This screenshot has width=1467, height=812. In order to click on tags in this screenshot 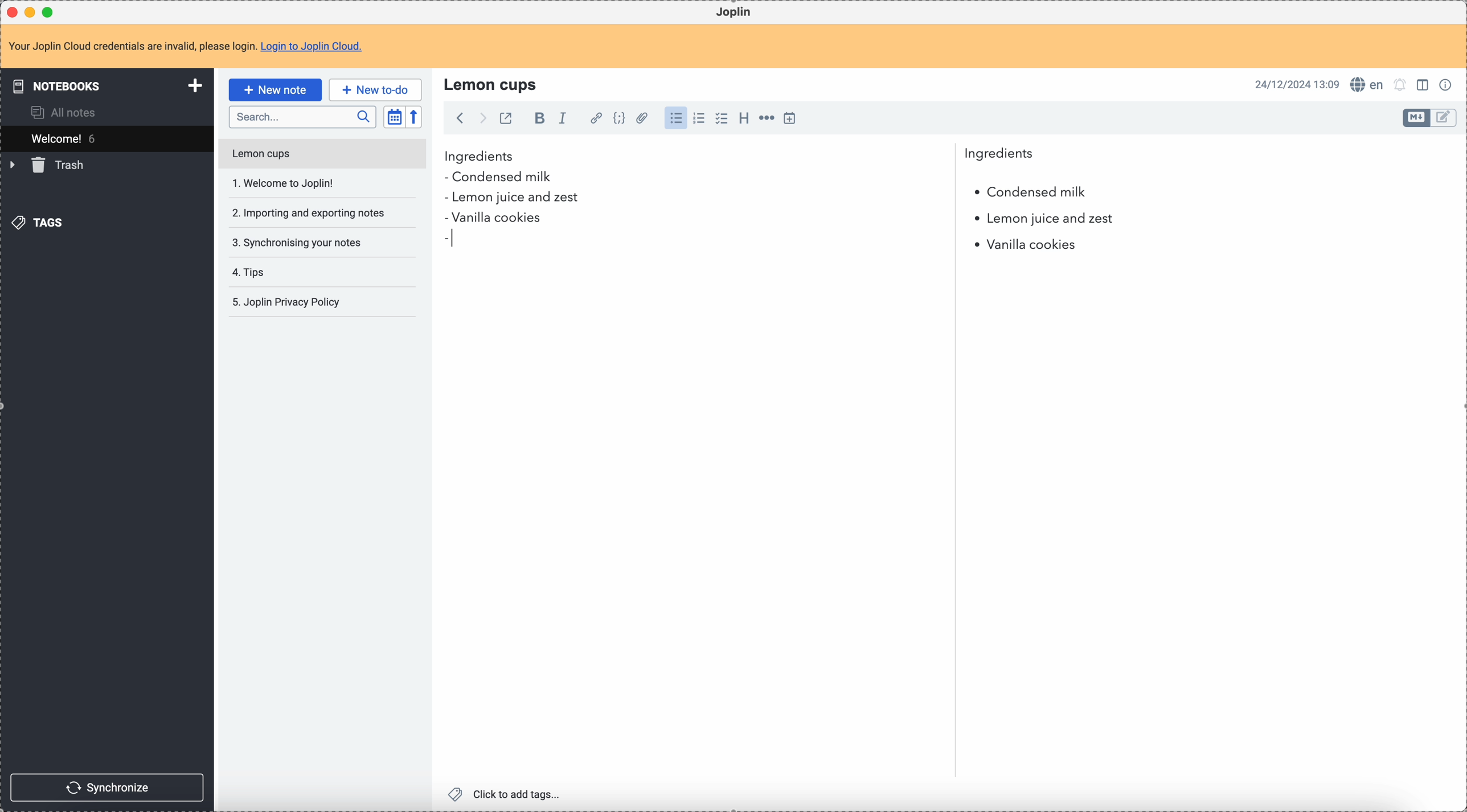, I will do `click(40, 222)`.